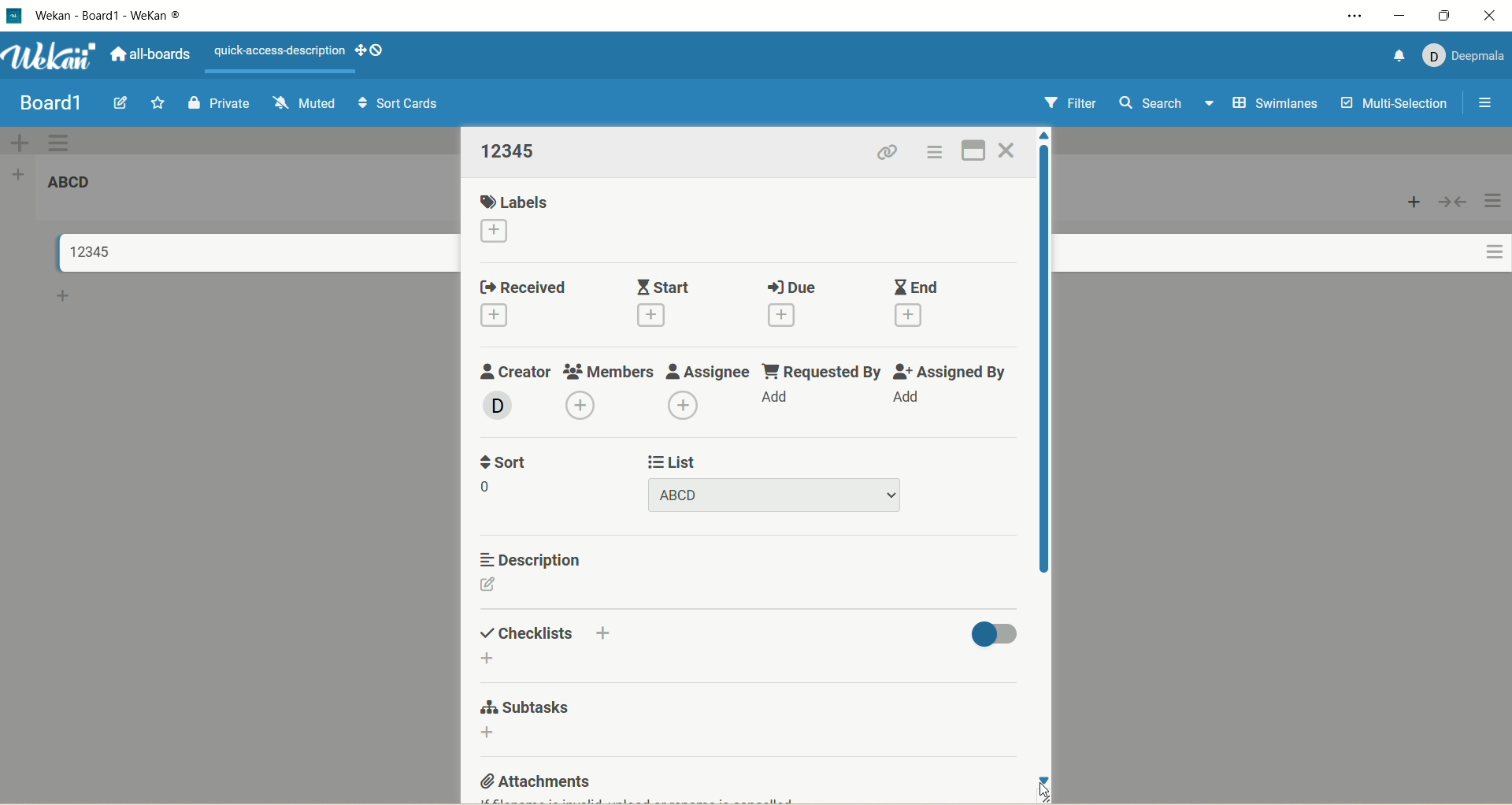 The height and width of the screenshot is (805, 1512). What do you see at coordinates (910, 317) in the screenshot?
I see `add` at bounding box center [910, 317].